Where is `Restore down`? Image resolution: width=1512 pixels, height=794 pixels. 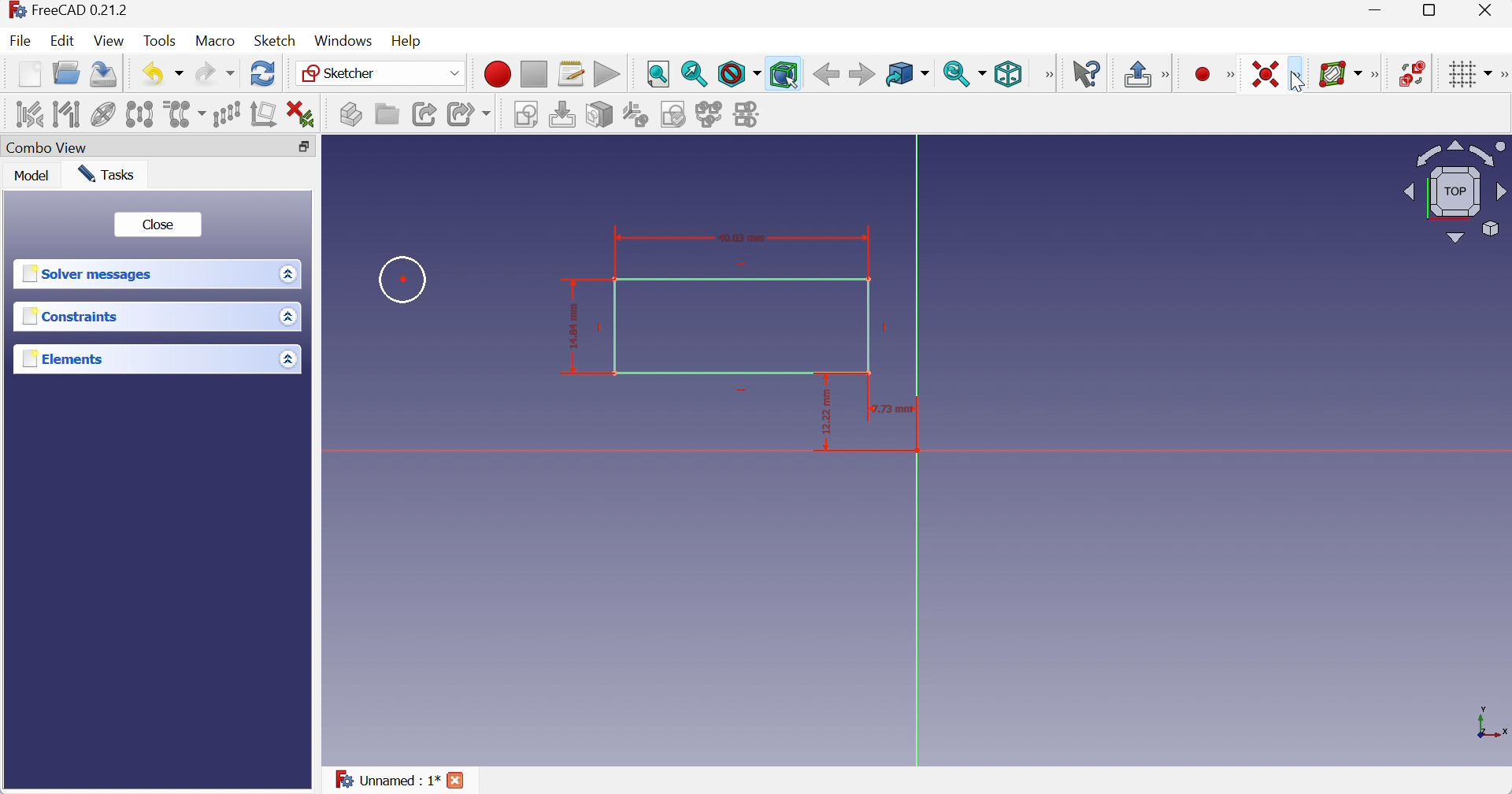
Restore down is located at coordinates (305, 148).